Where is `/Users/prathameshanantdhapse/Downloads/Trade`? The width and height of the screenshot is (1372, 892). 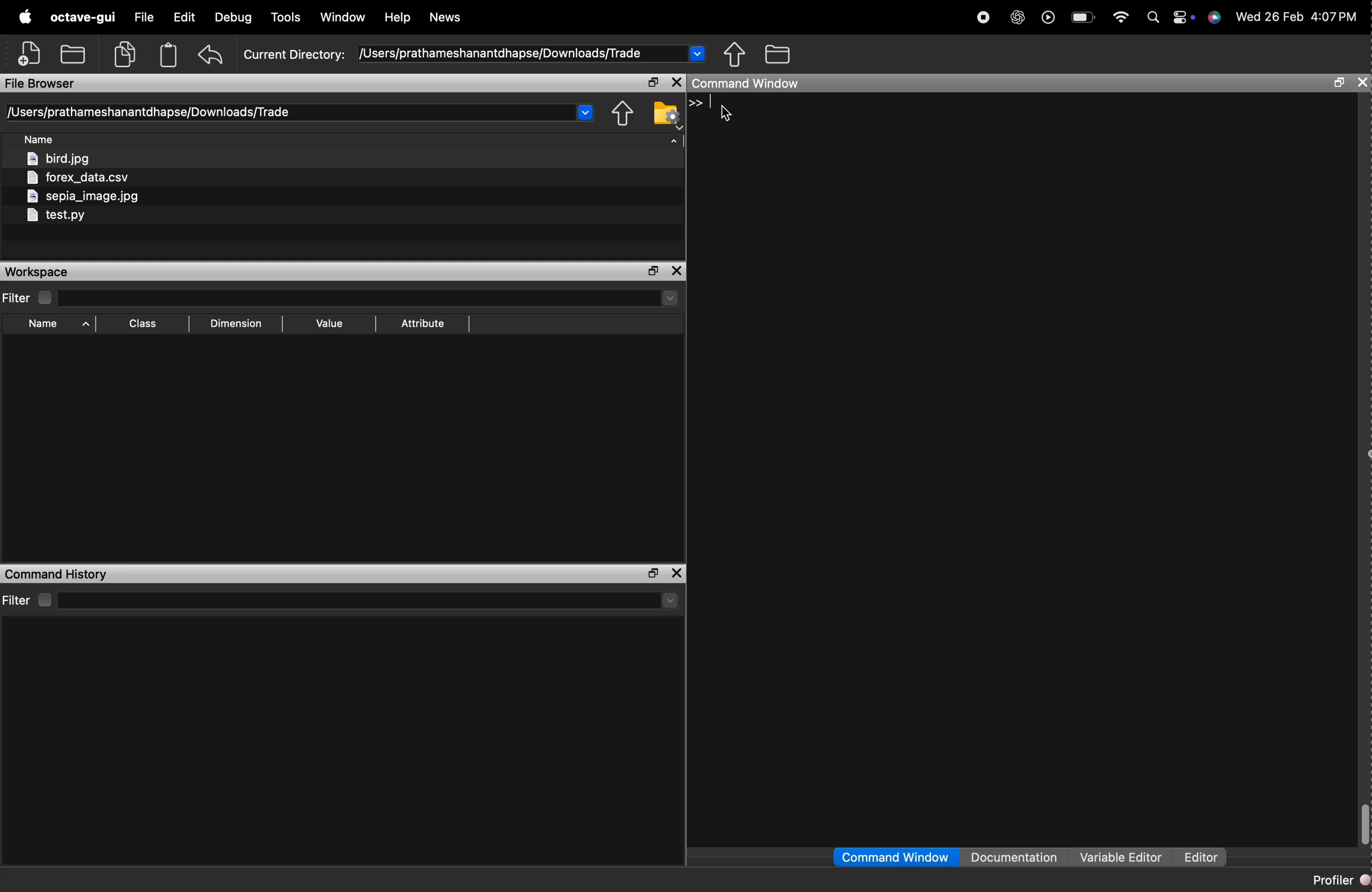 /Users/prathameshanantdhapse/Downloads/Trade is located at coordinates (150, 112).